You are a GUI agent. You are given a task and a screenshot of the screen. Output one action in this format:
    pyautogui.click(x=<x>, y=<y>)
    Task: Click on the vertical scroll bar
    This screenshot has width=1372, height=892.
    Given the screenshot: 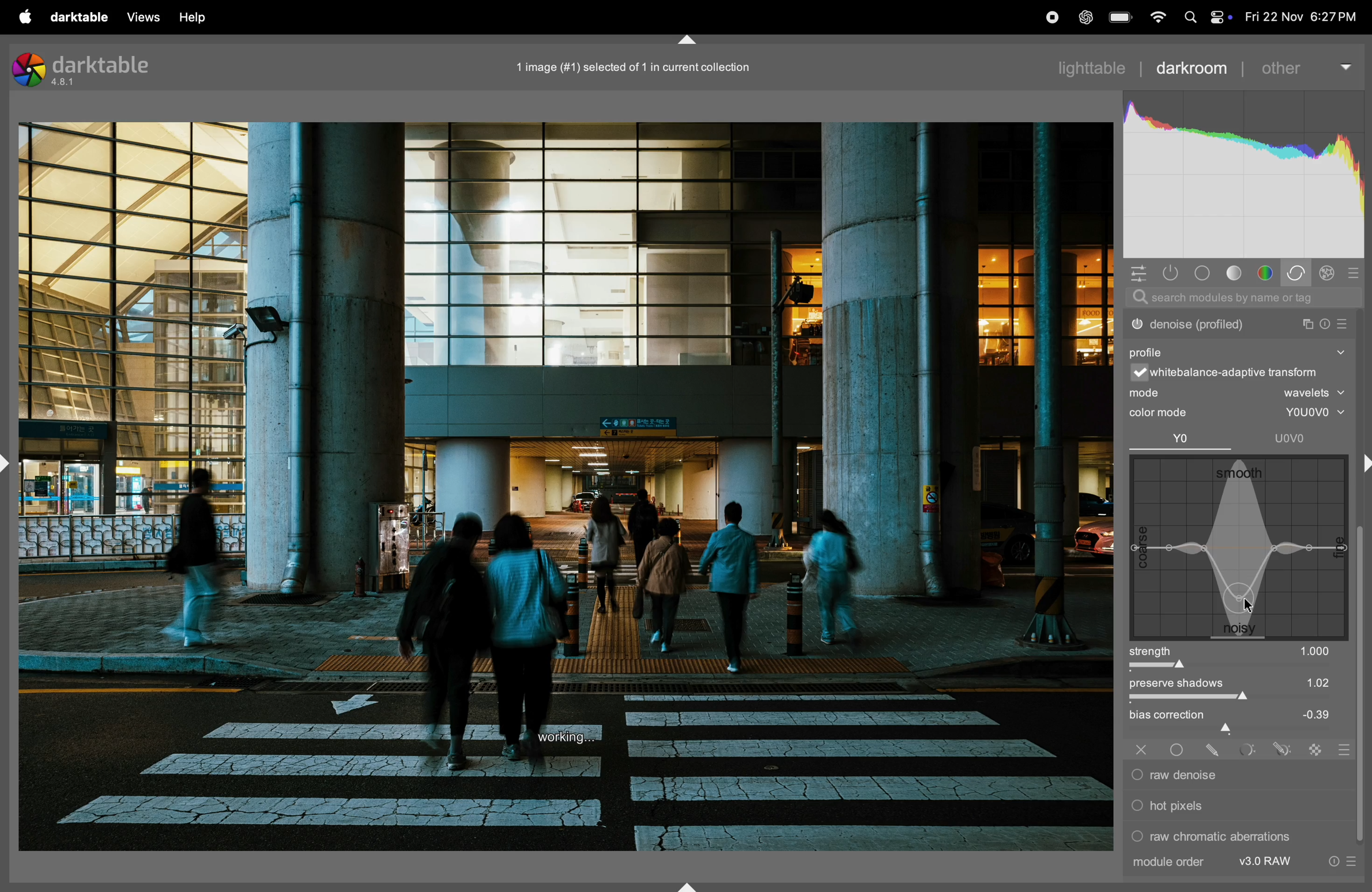 What is the action you would take?
    pyautogui.click(x=1363, y=686)
    